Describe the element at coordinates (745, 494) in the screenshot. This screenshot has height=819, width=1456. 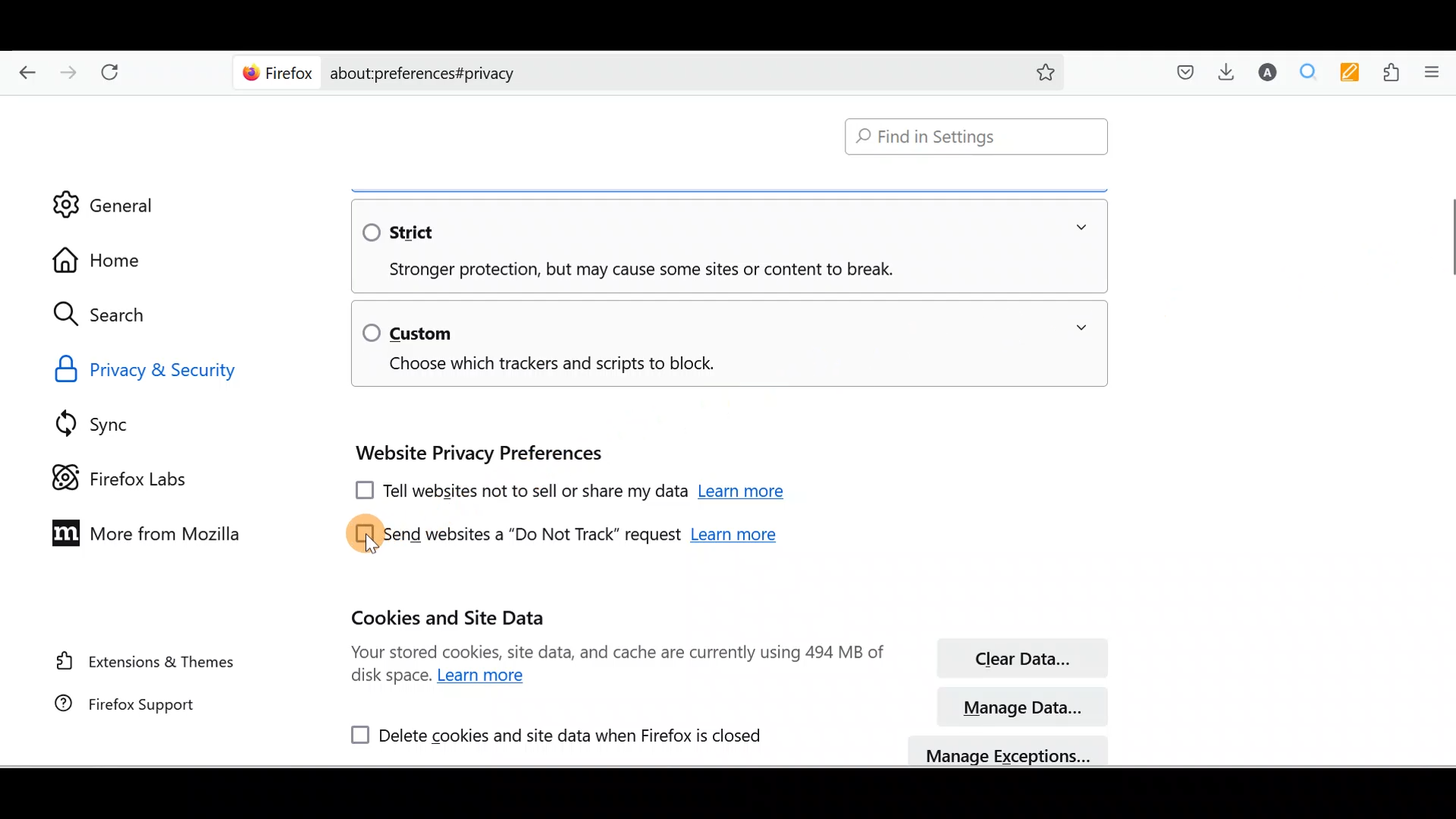
I see `Learn more` at that location.